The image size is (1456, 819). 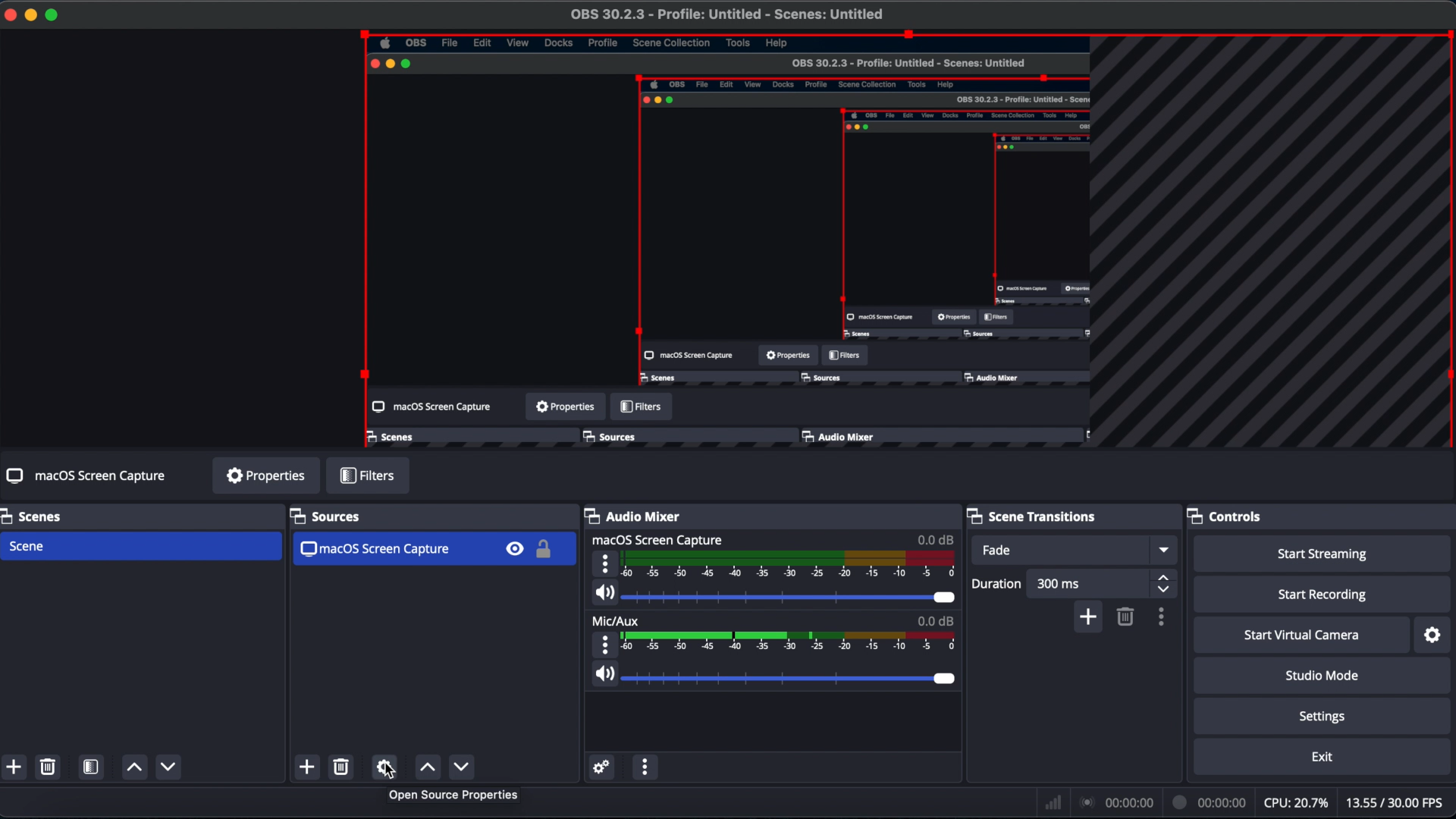 What do you see at coordinates (47, 767) in the screenshot?
I see `remove selected` at bounding box center [47, 767].